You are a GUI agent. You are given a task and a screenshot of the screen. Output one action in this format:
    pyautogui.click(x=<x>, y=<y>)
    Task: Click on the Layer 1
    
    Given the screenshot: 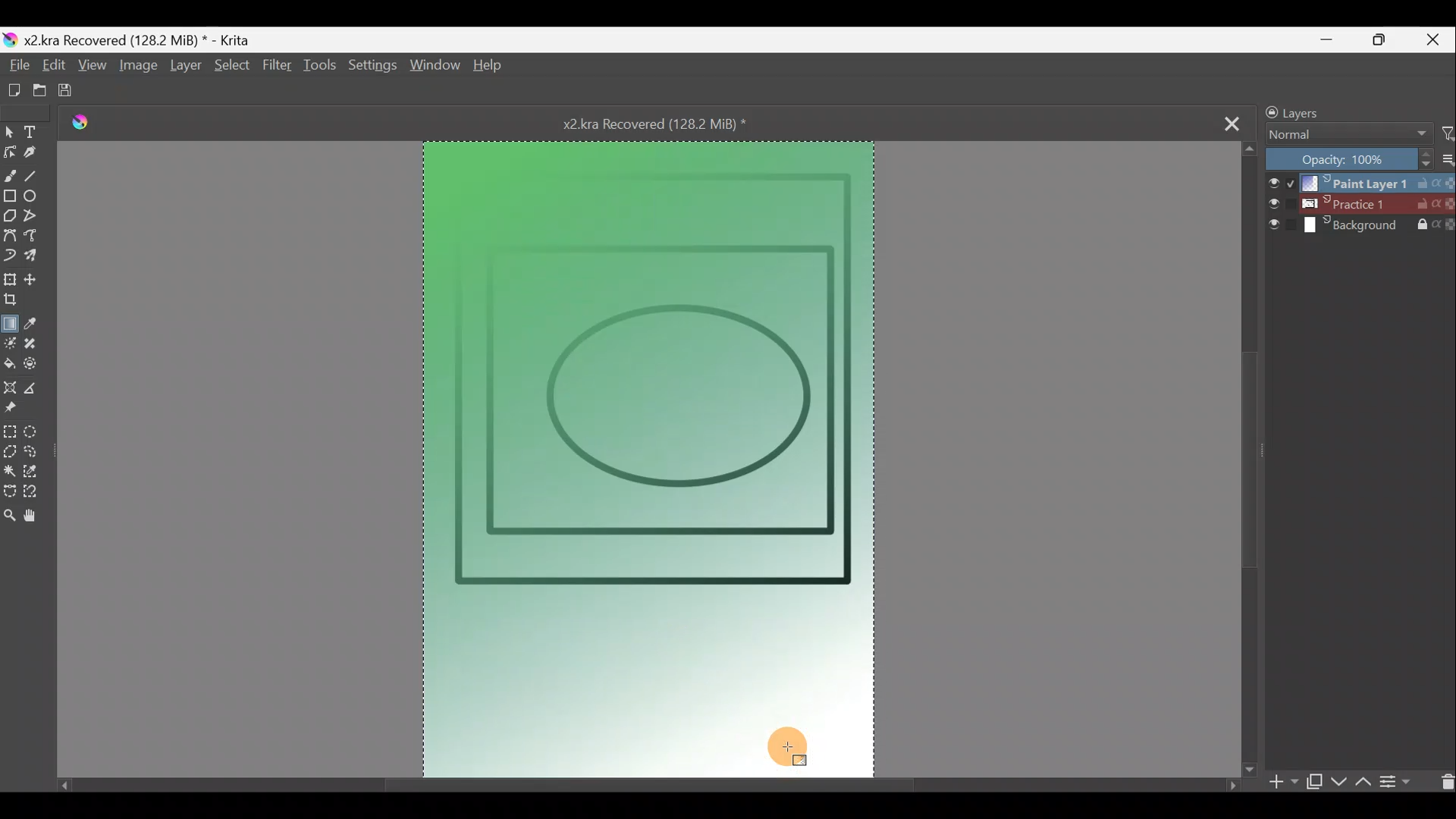 What is the action you would take?
    pyautogui.click(x=1357, y=181)
    